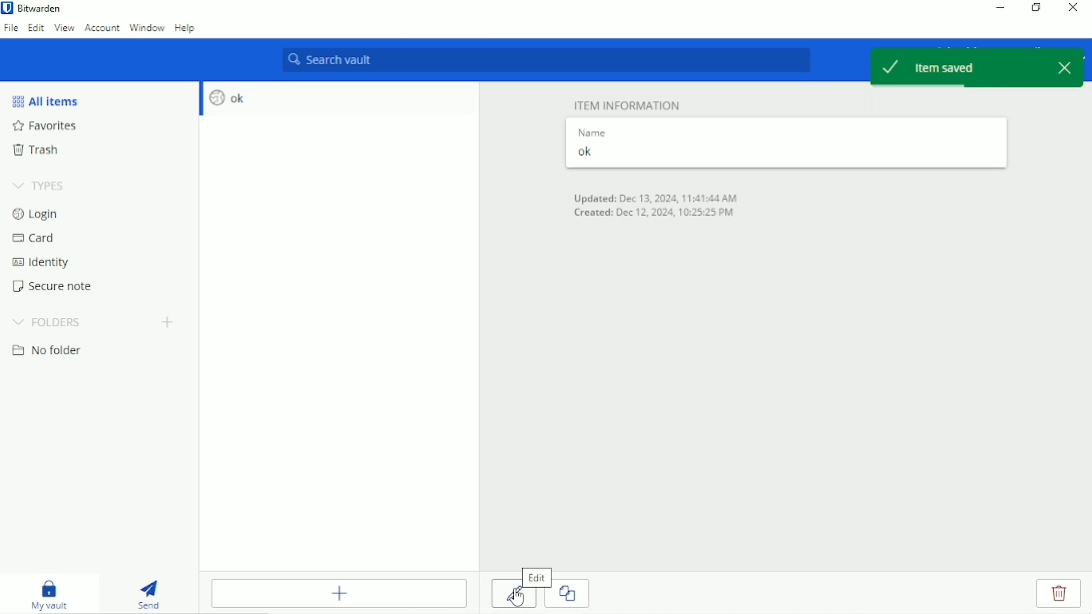 This screenshot has height=614, width=1092. What do you see at coordinates (1001, 7) in the screenshot?
I see `Minimize` at bounding box center [1001, 7].